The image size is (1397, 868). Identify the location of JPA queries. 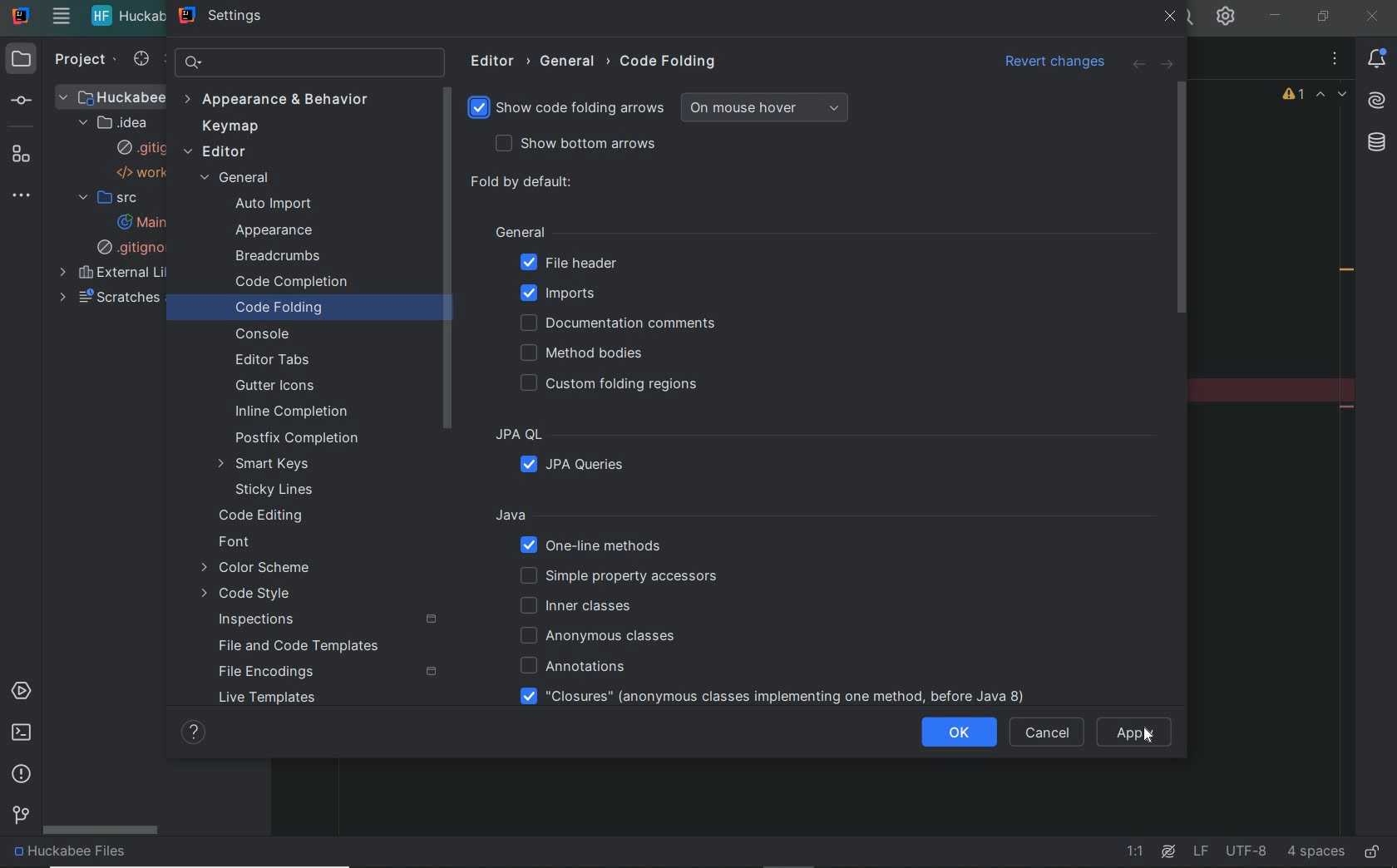
(581, 466).